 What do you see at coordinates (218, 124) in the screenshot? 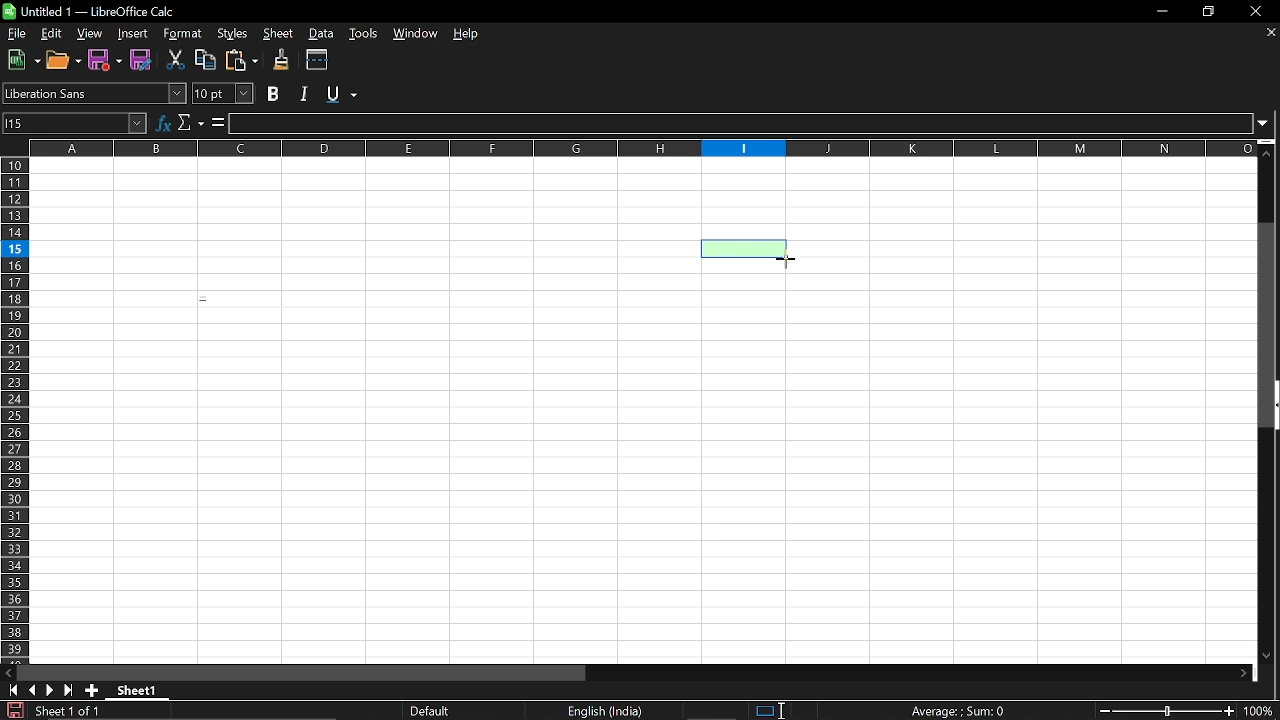
I see `Formula` at bounding box center [218, 124].